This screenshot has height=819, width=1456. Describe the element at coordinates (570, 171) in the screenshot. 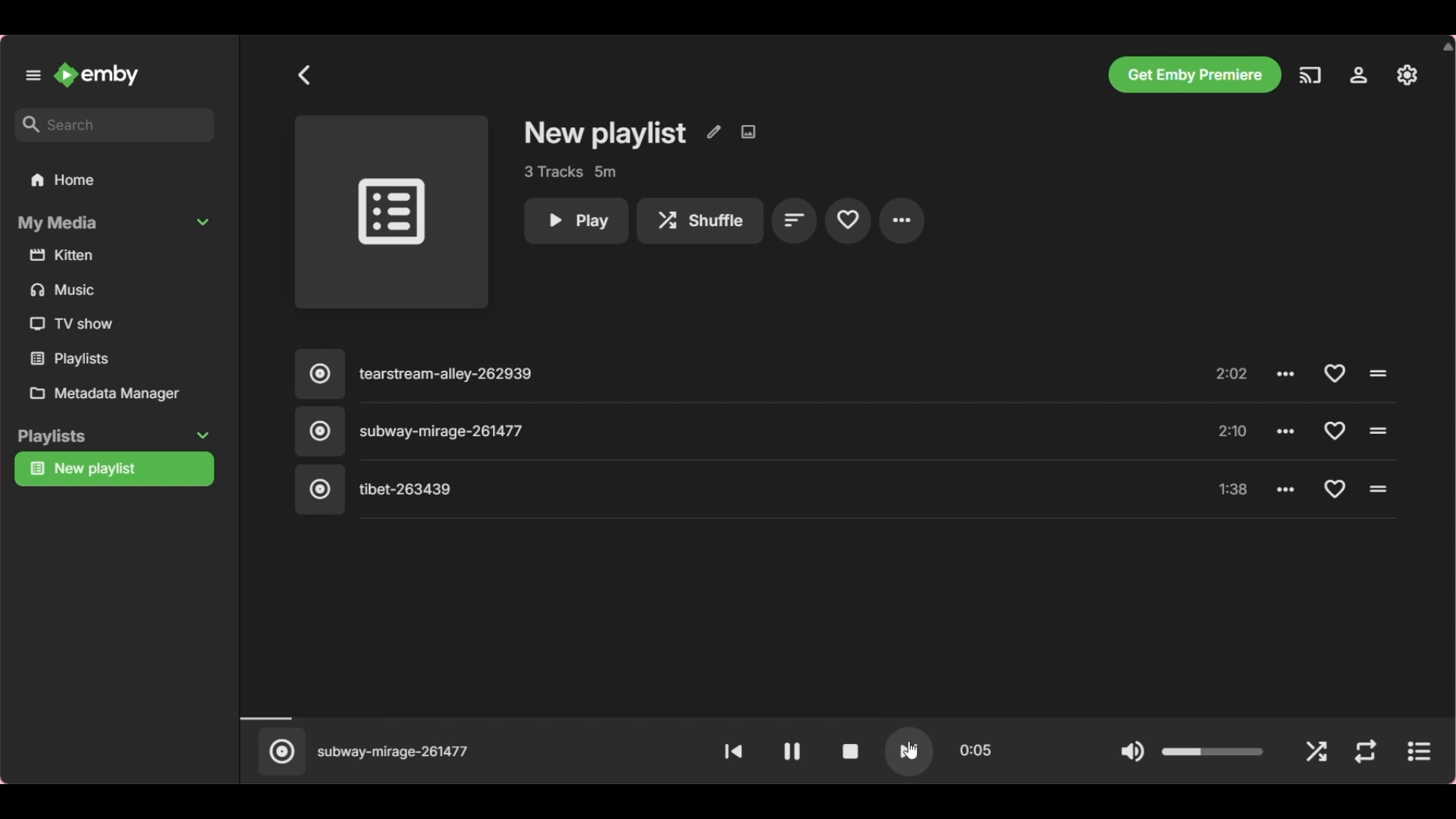

I see `3 tracks 5m` at that location.